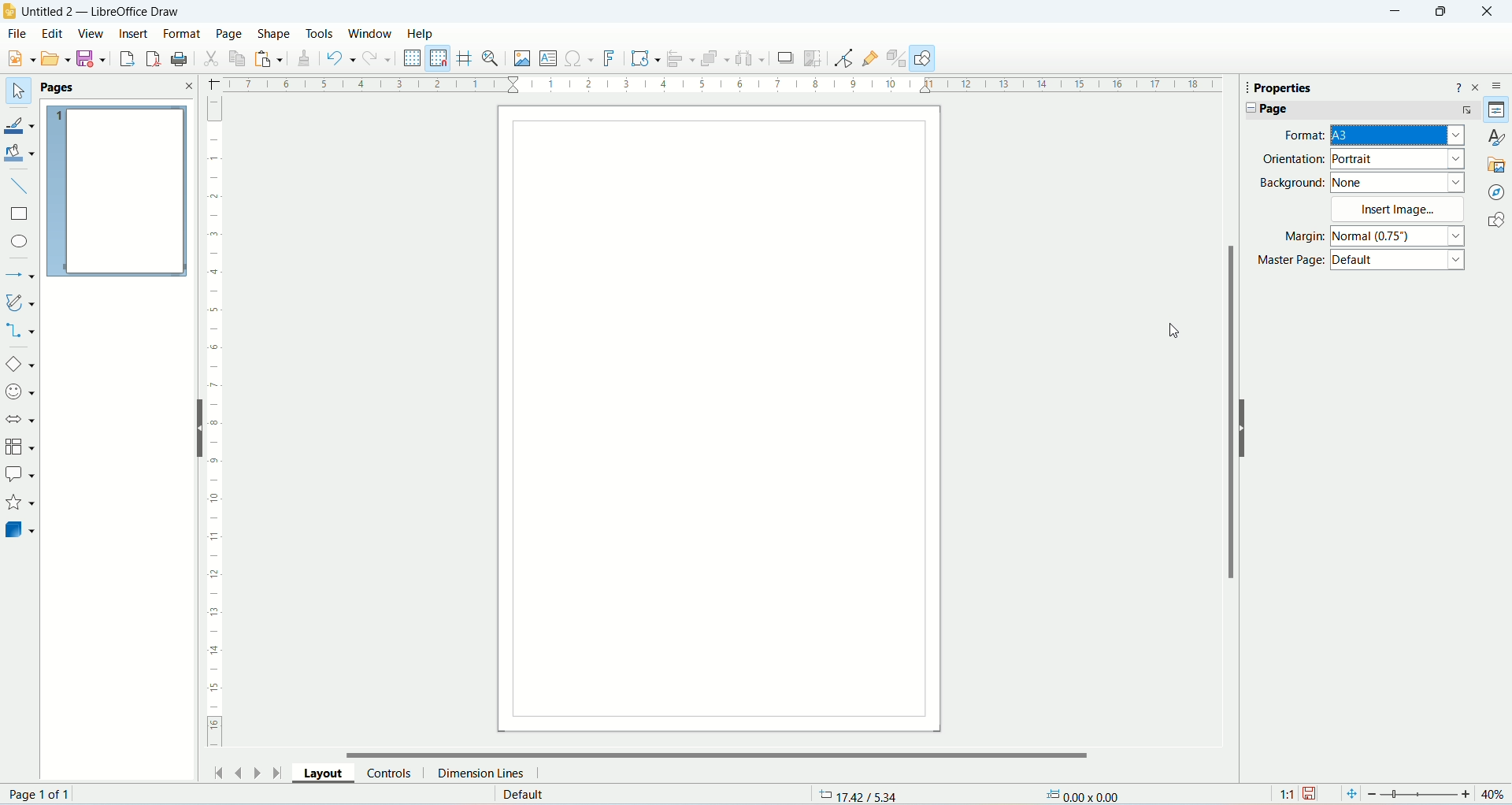  What do you see at coordinates (1439, 793) in the screenshot?
I see `zoom factor` at bounding box center [1439, 793].